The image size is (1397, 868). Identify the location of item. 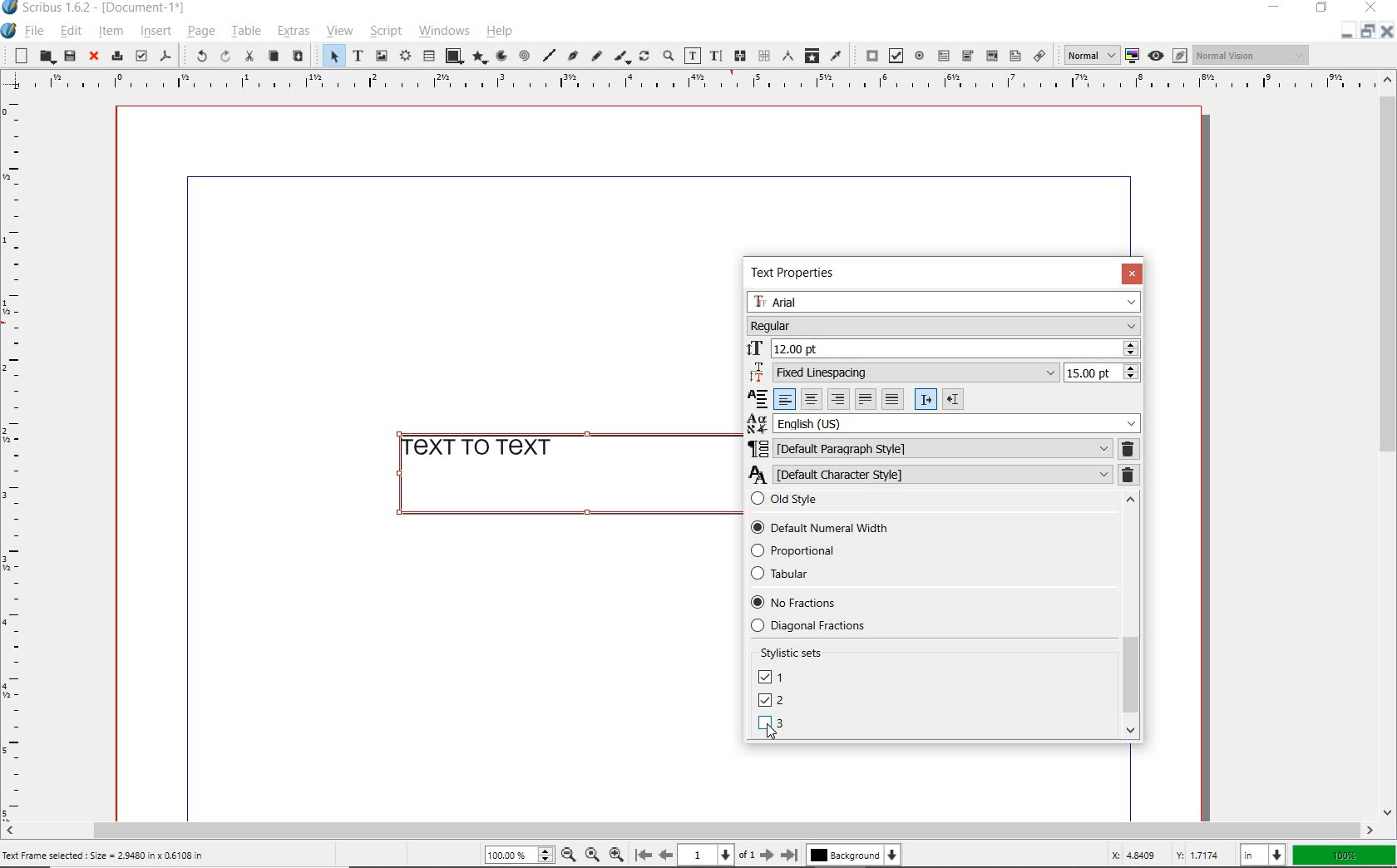
(111, 31).